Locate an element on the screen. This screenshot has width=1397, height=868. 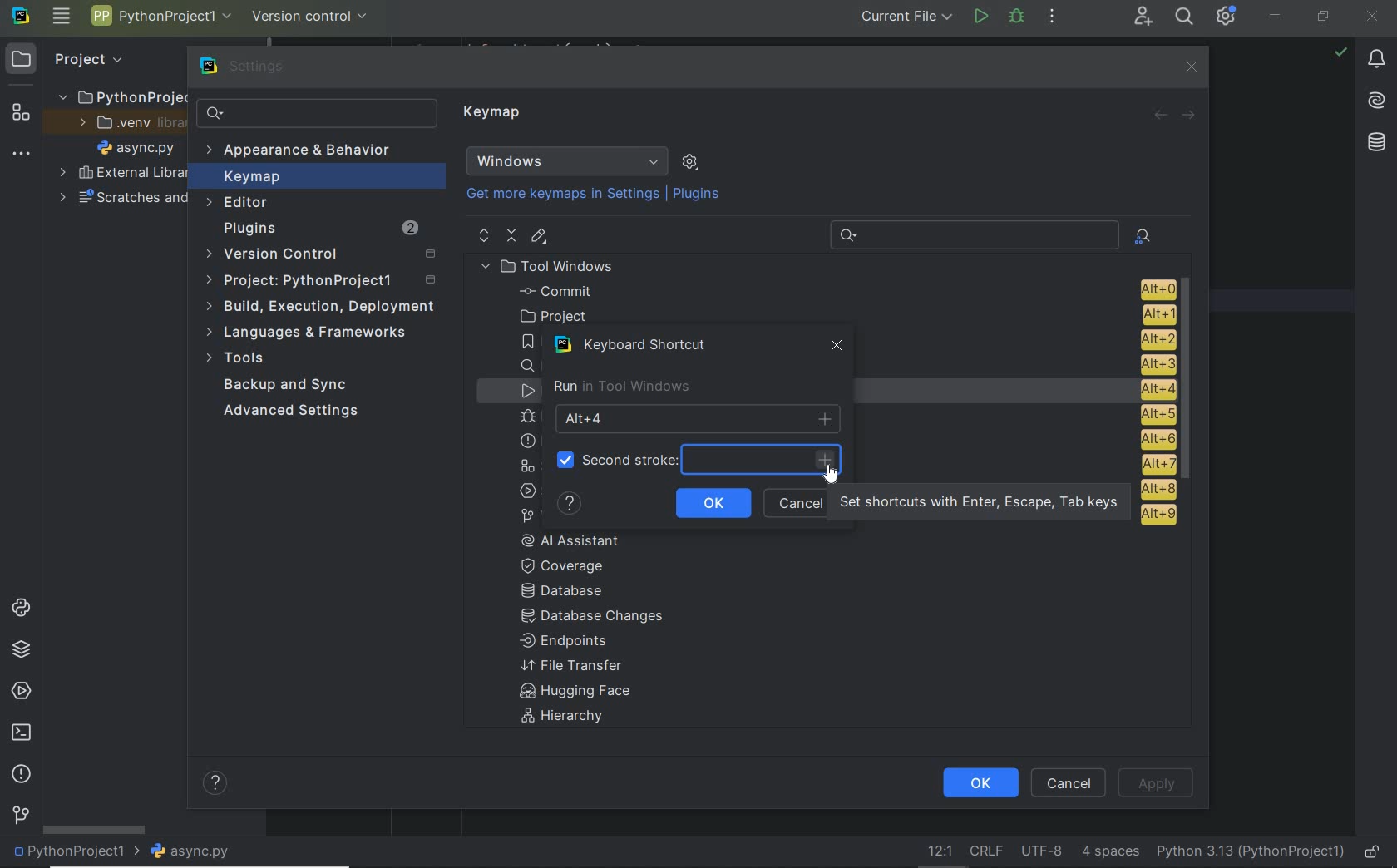
no problems is located at coordinates (1340, 52).